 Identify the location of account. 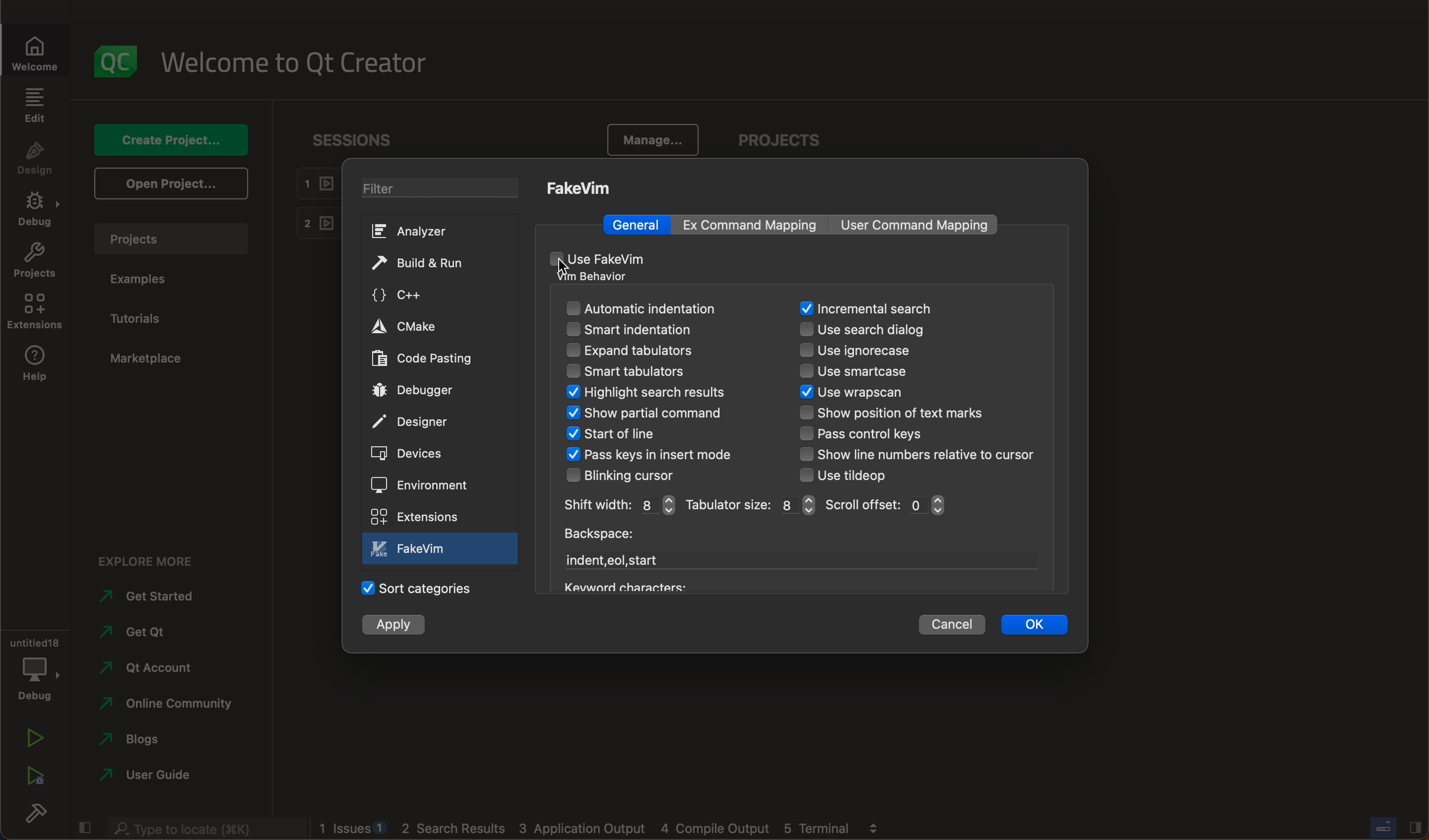
(162, 668).